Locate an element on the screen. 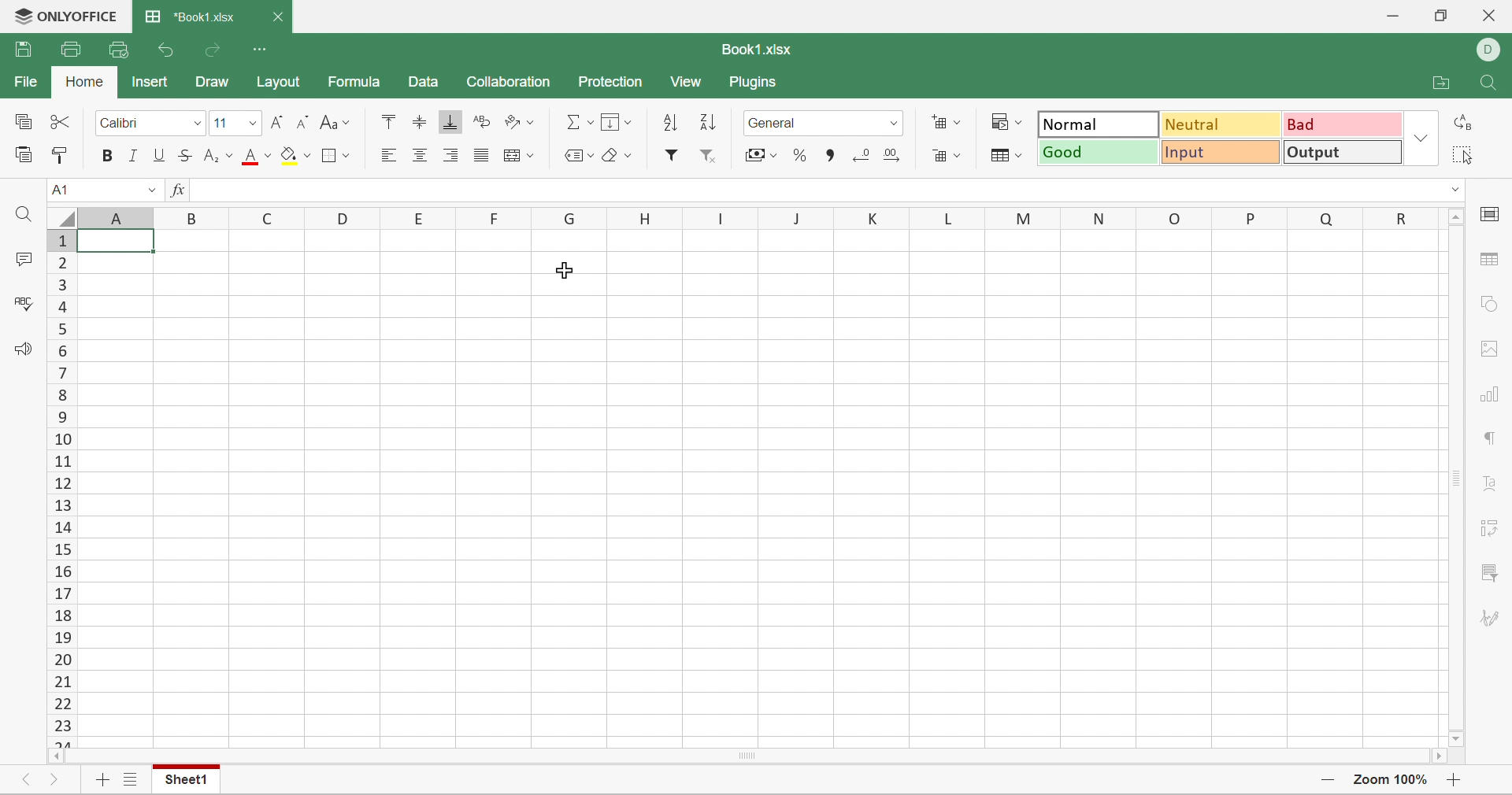  Text art settings is located at coordinates (1491, 483).